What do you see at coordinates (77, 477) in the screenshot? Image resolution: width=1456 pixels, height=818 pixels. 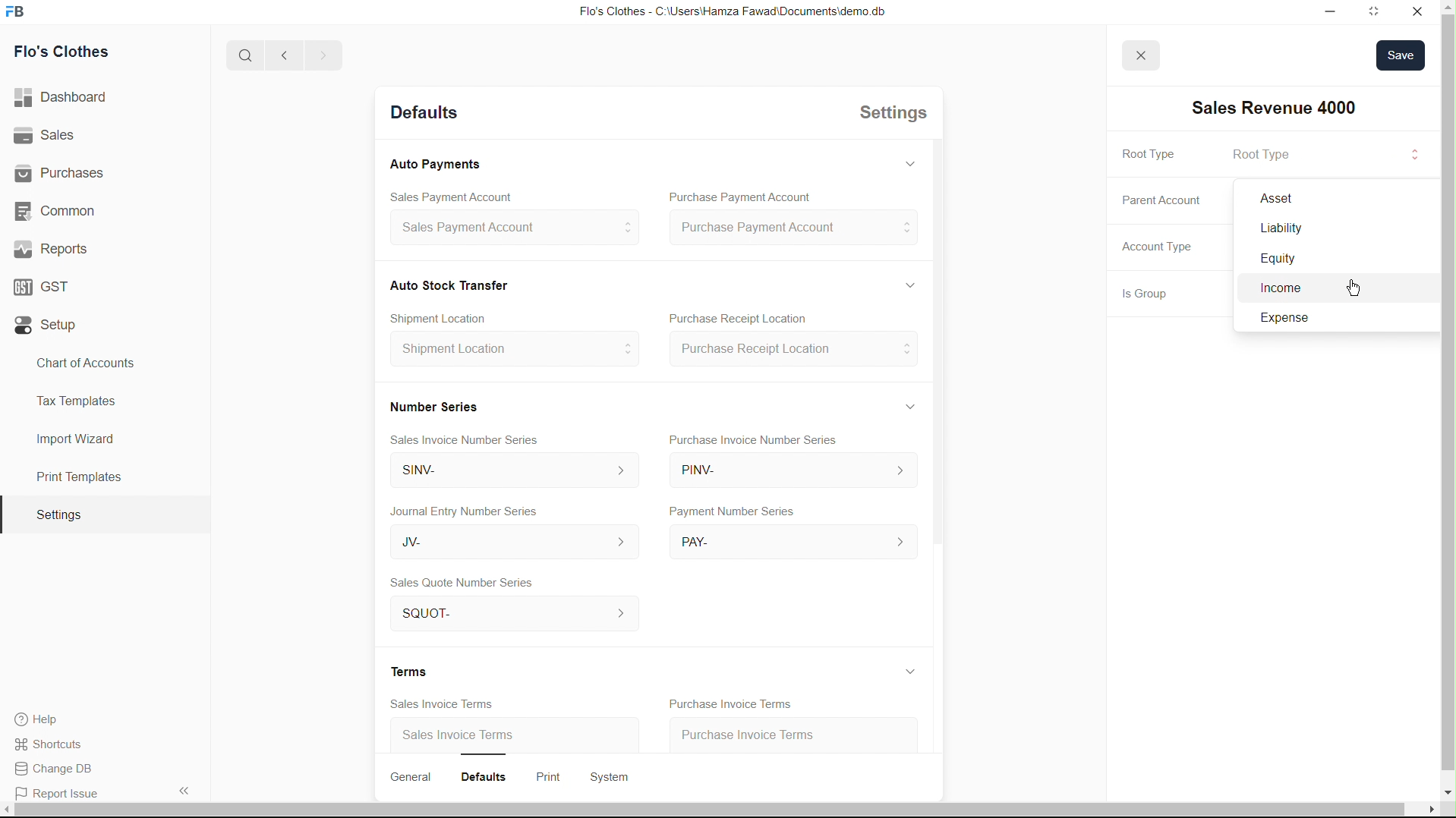 I see `Print Templates` at bounding box center [77, 477].